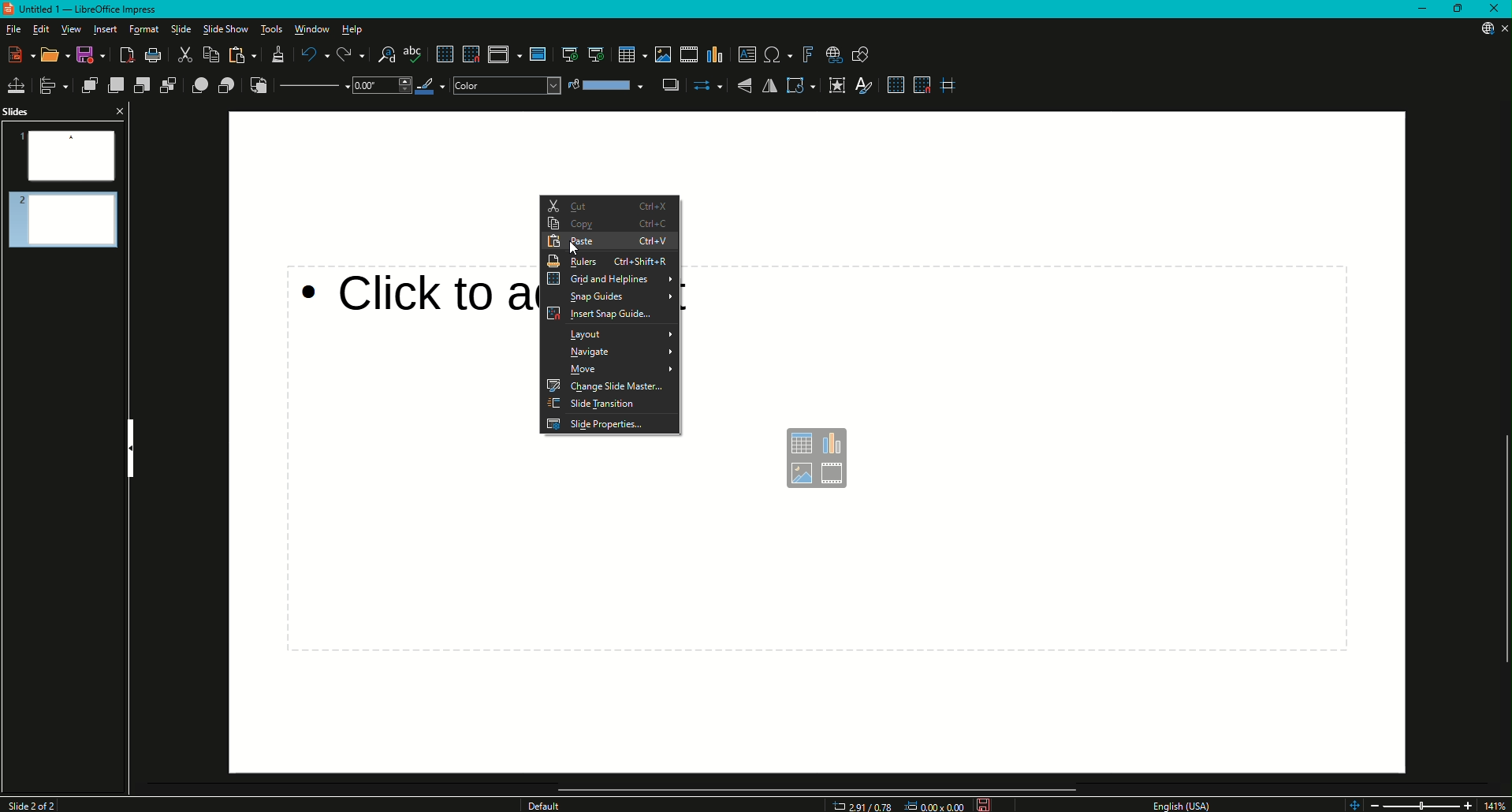 This screenshot has height=812, width=1512. I want to click on Change Slide Master, so click(609, 386).